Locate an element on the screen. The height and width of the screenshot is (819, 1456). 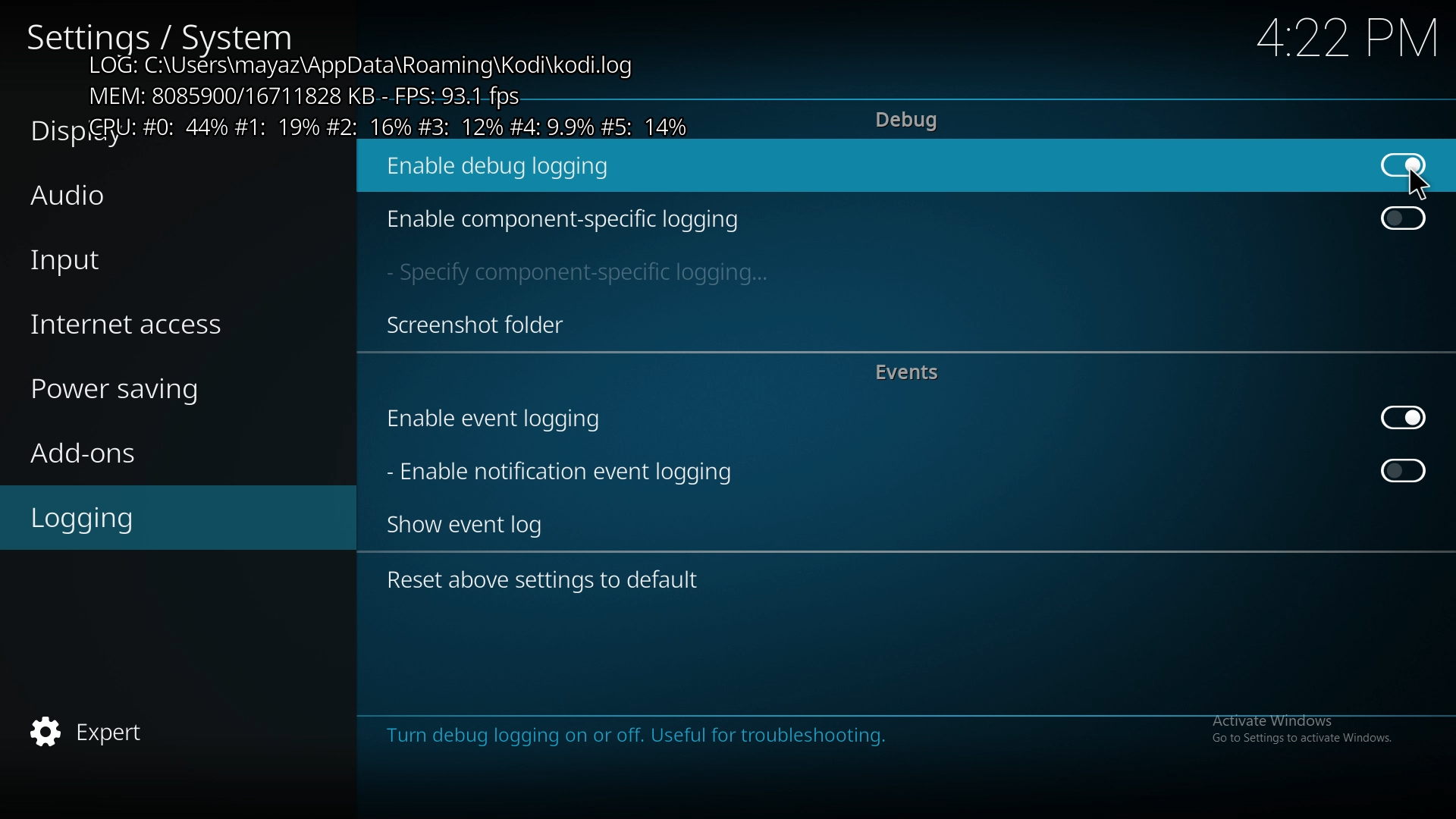
cursor is located at coordinates (1416, 184).